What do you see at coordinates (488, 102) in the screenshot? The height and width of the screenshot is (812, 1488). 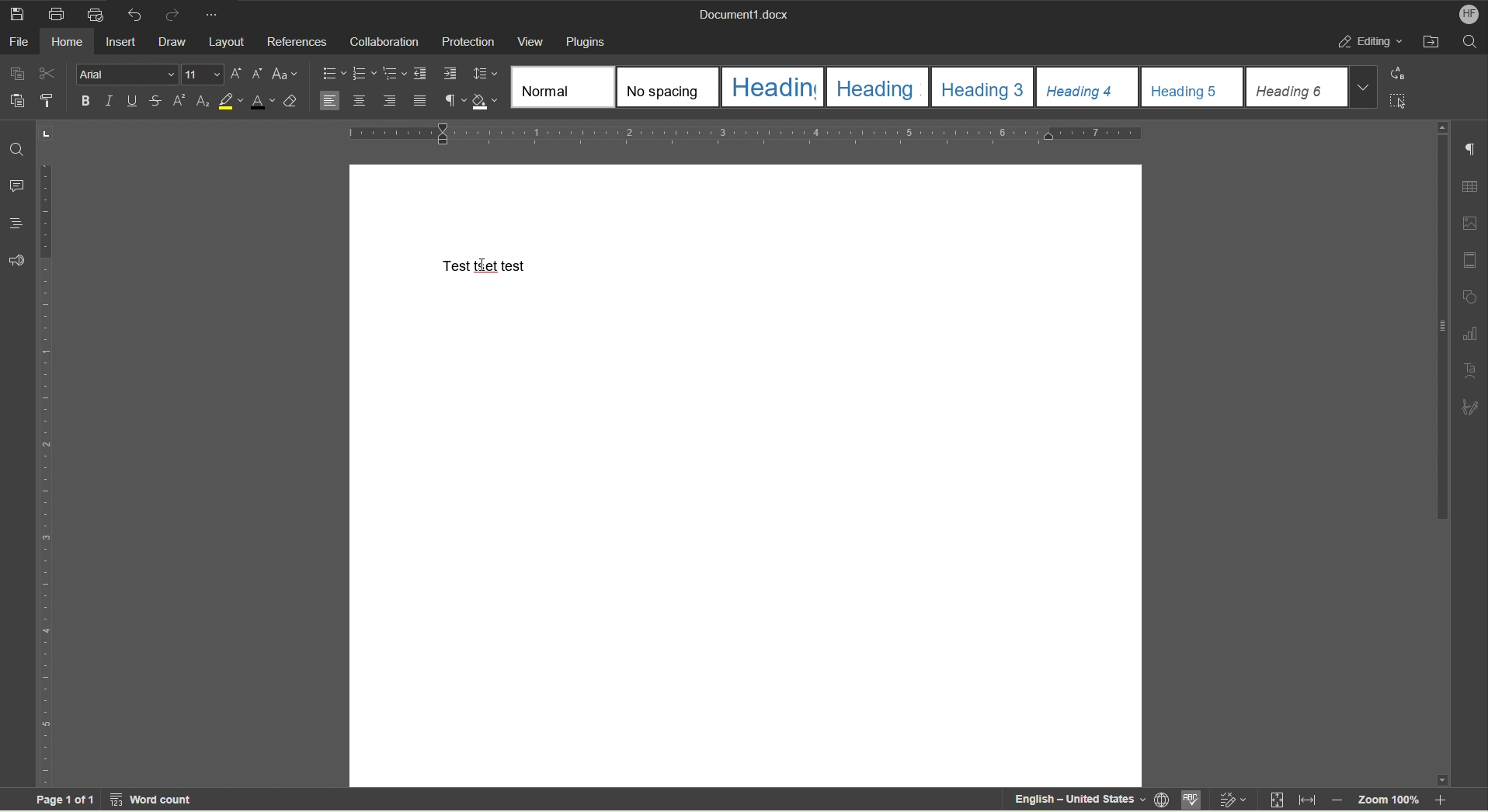 I see `Shadow` at bounding box center [488, 102].